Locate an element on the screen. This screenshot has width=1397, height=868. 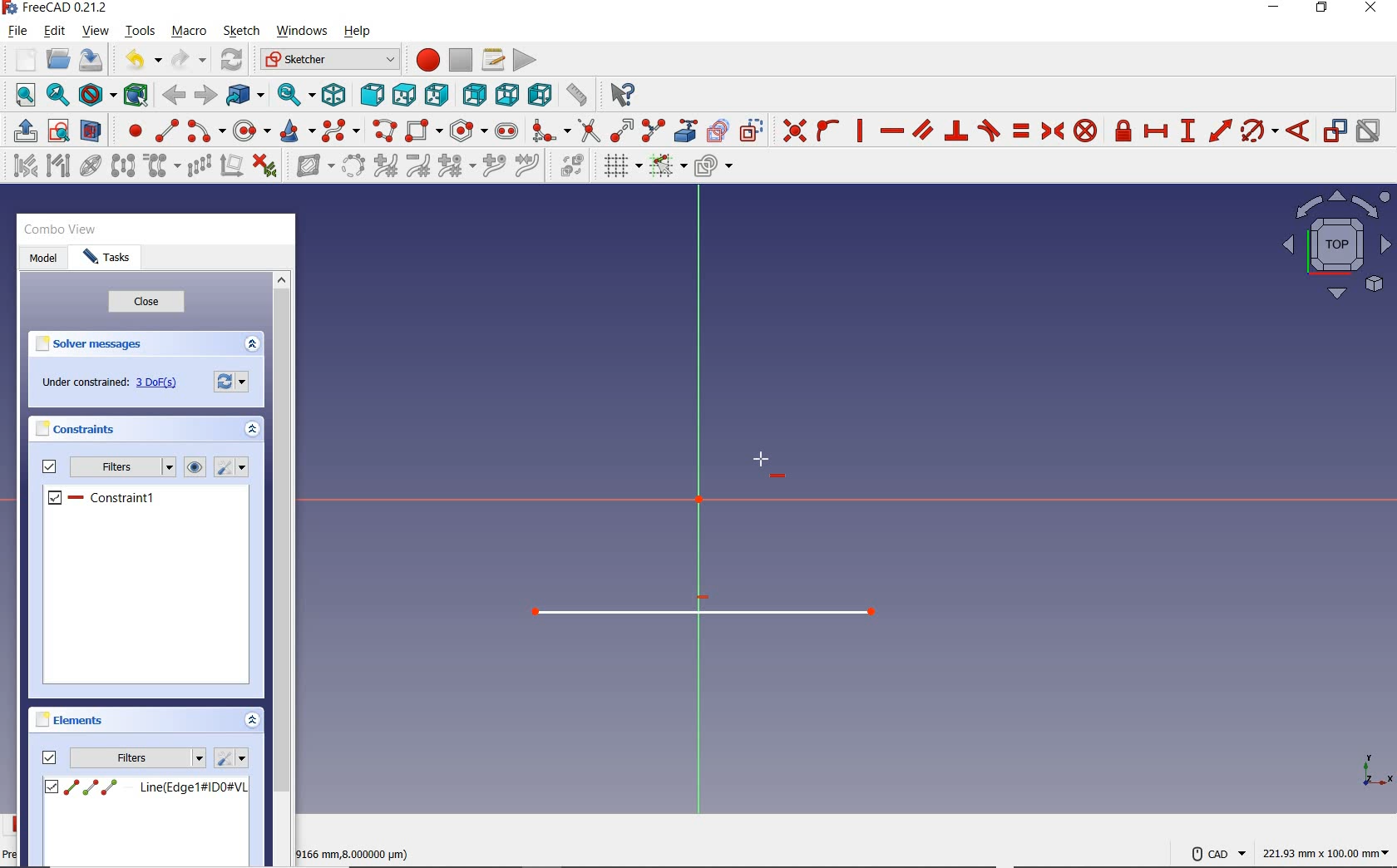
ACTIVATE/DEACTIVATE CONSTRAINT is located at coordinates (1368, 132).